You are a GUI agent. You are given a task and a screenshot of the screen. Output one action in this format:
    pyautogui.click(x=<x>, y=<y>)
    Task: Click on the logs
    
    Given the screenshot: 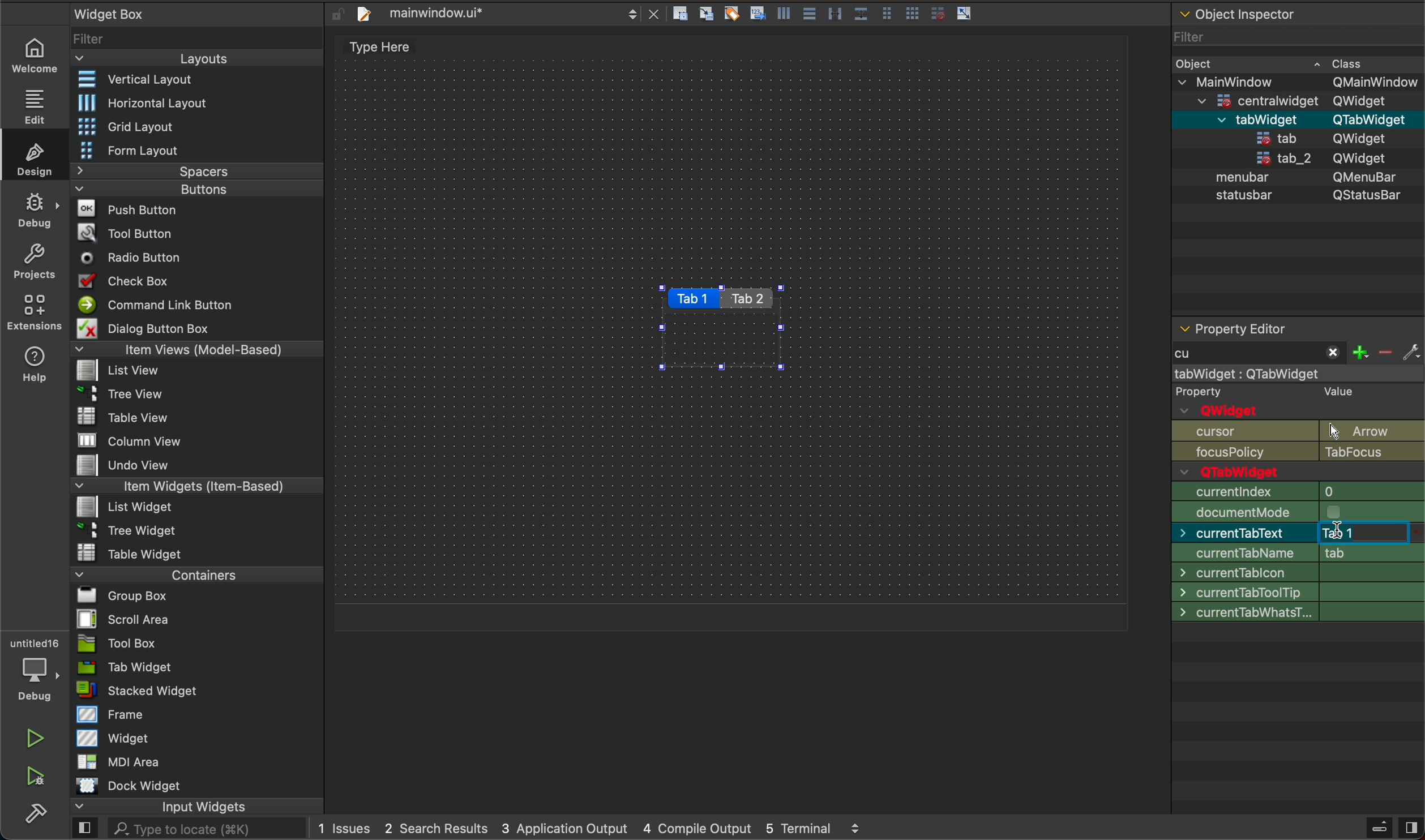 What is the action you would take?
    pyautogui.click(x=594, y=828)
    